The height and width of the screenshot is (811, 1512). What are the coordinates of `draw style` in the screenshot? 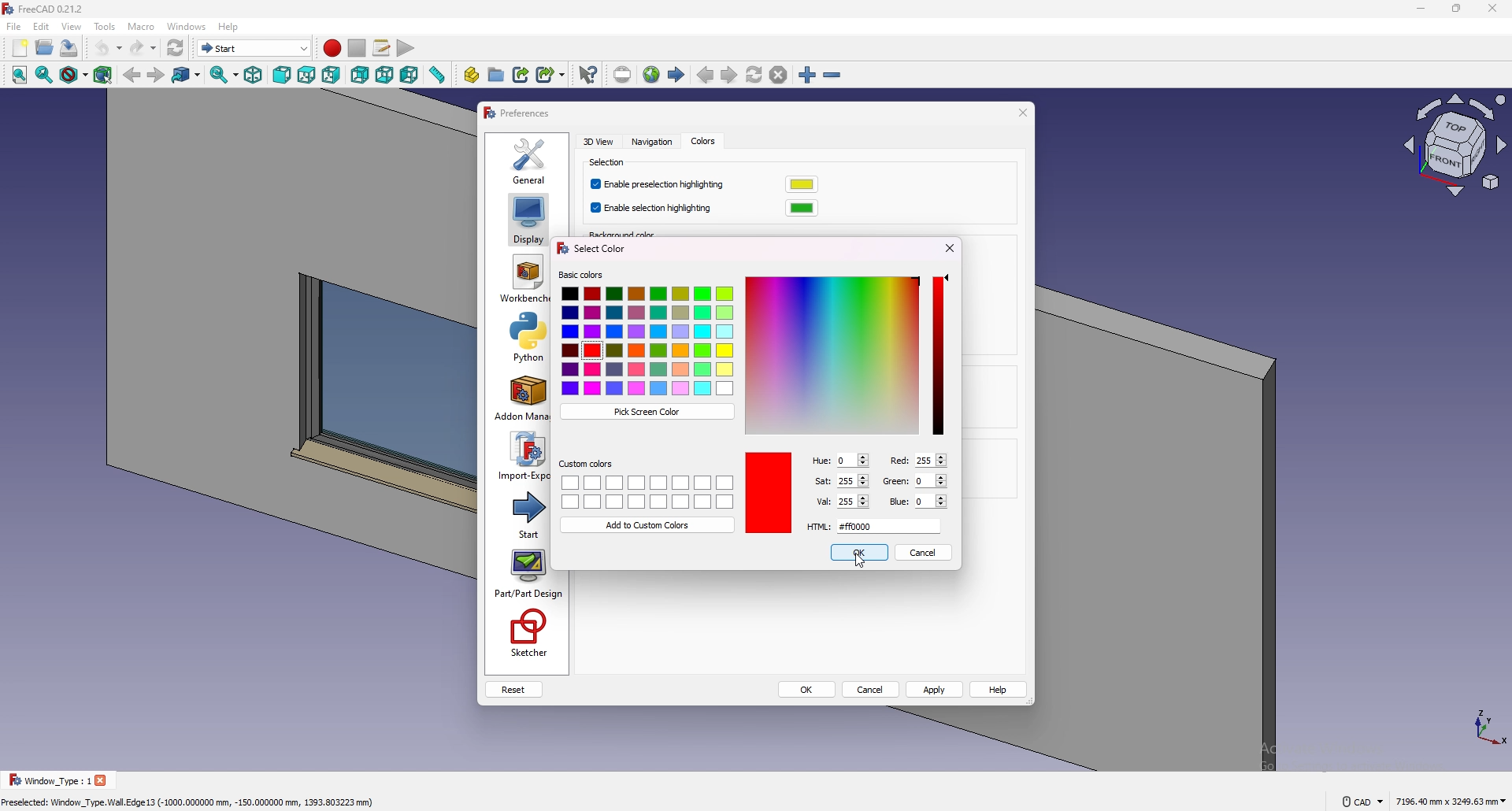 It's located at (74, 76).